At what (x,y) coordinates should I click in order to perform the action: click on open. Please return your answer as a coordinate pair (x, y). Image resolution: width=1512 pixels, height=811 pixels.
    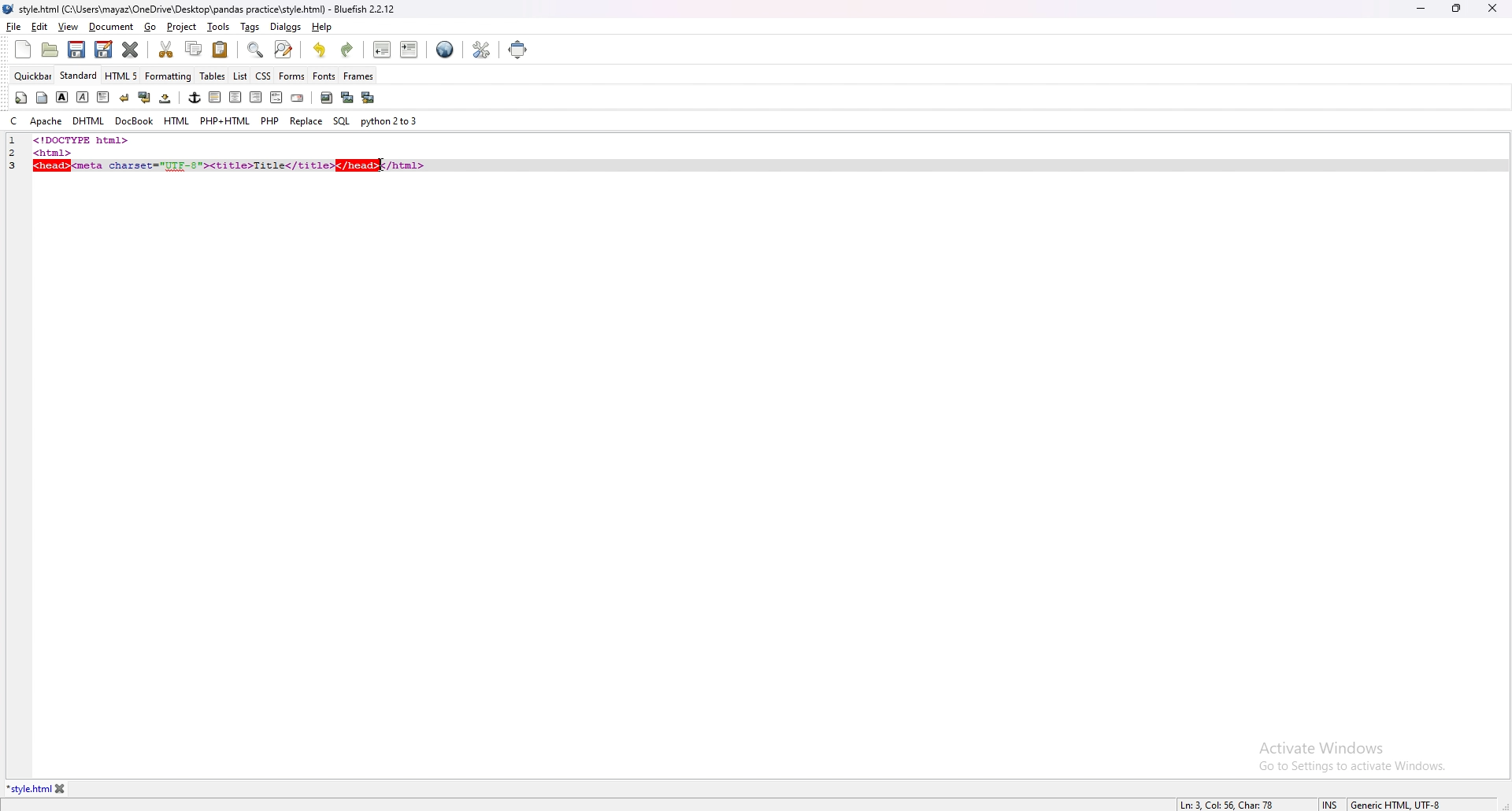
    Looking at the image, I should click on (52, 50).